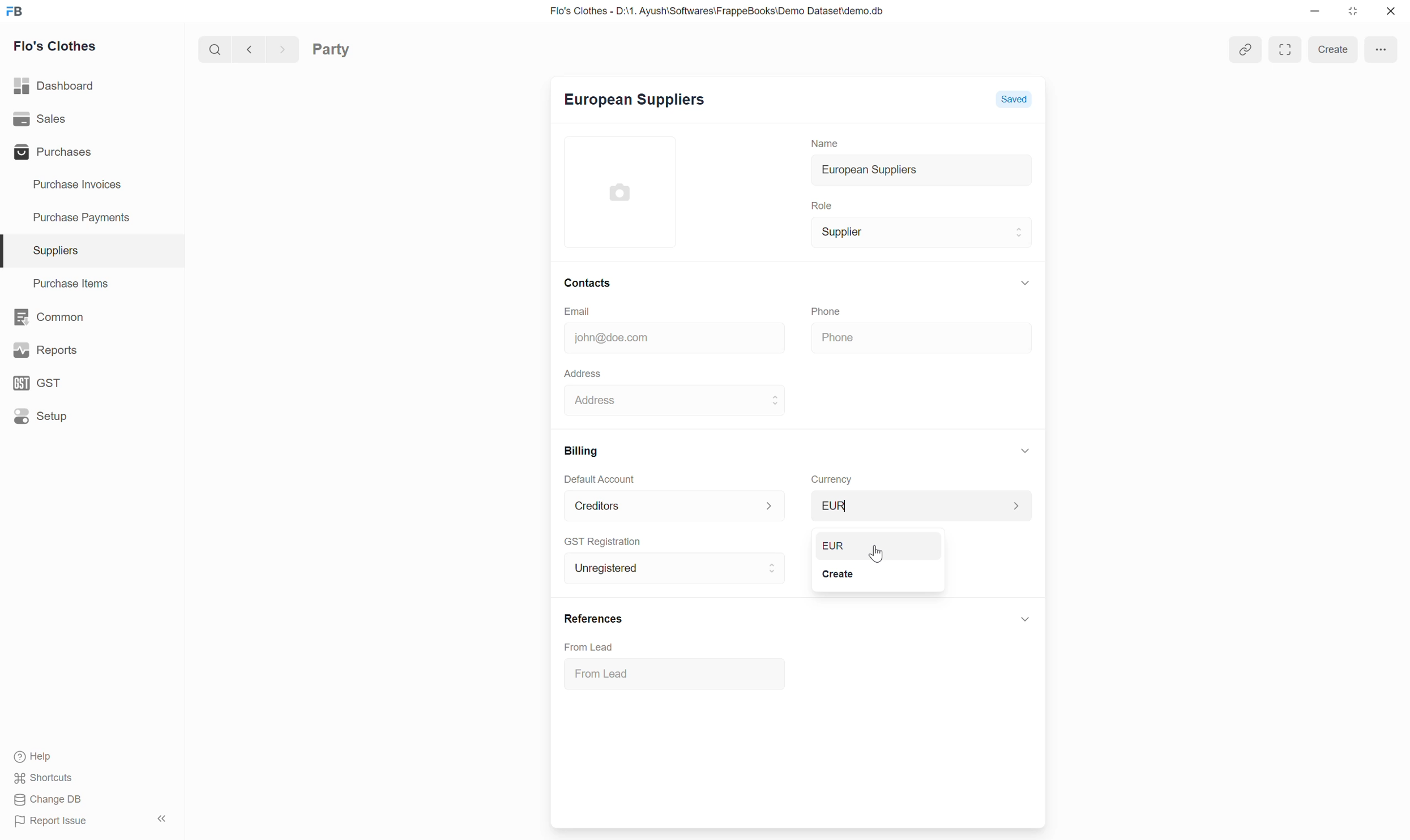 The width and height of the screenshot is (1410, 840). I want to click on common, so click(48, 318).